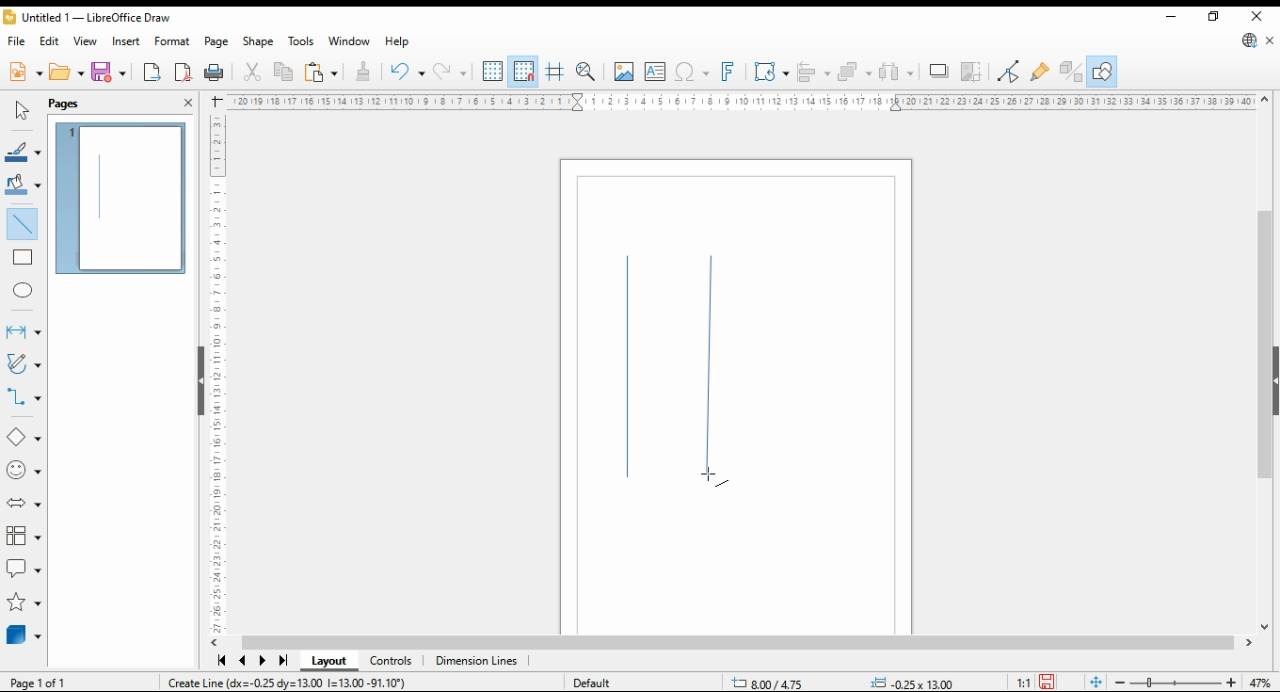 This screenshot has height=692, width=1280. What do you see at coordinates (22, 183) in the screenshot?
I see `fill color` at bounding box center [22, 183].